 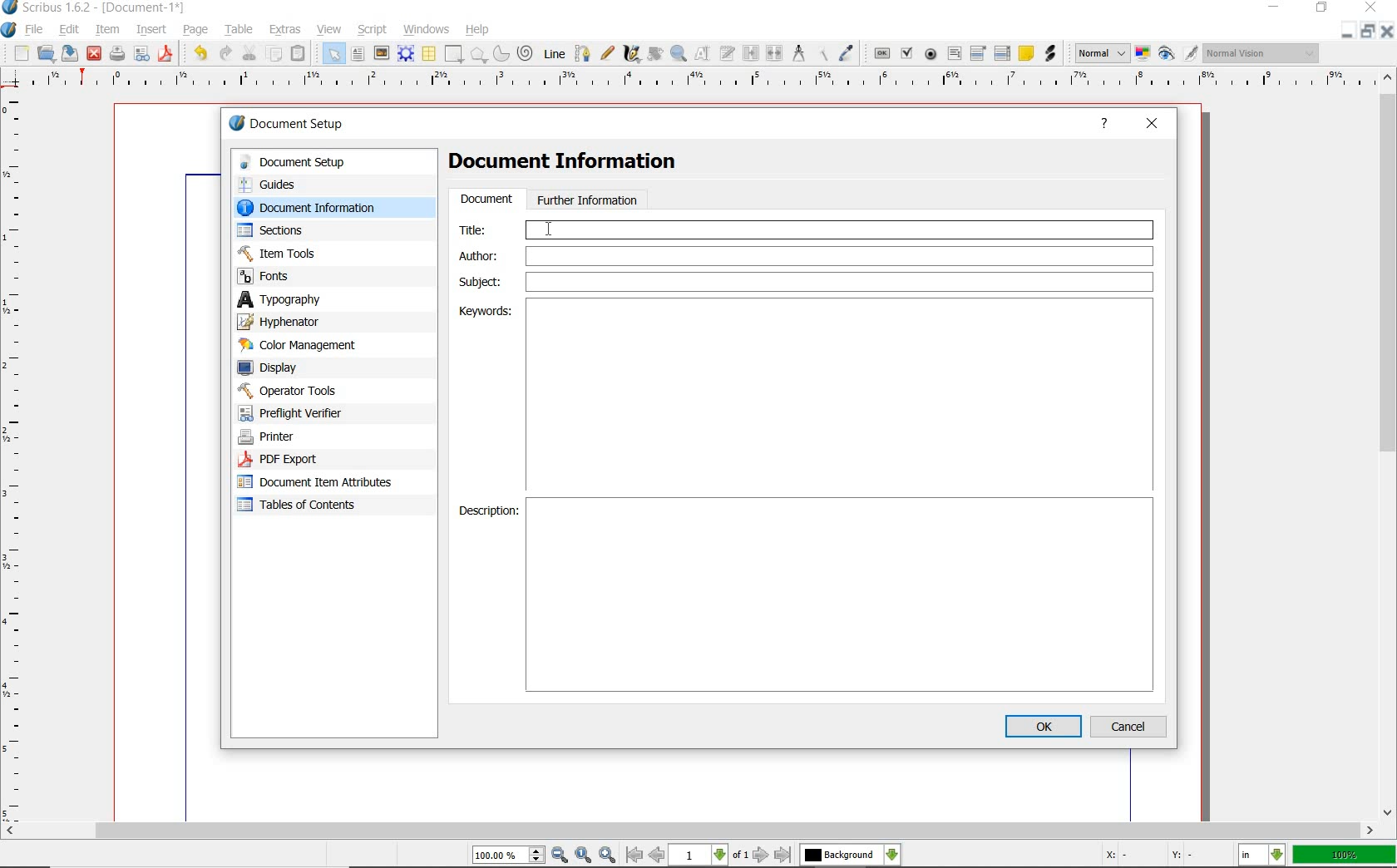 What do you see at coordinates (20, 53) in the screenshot?
I see `new` at bounding box center [20, 53].